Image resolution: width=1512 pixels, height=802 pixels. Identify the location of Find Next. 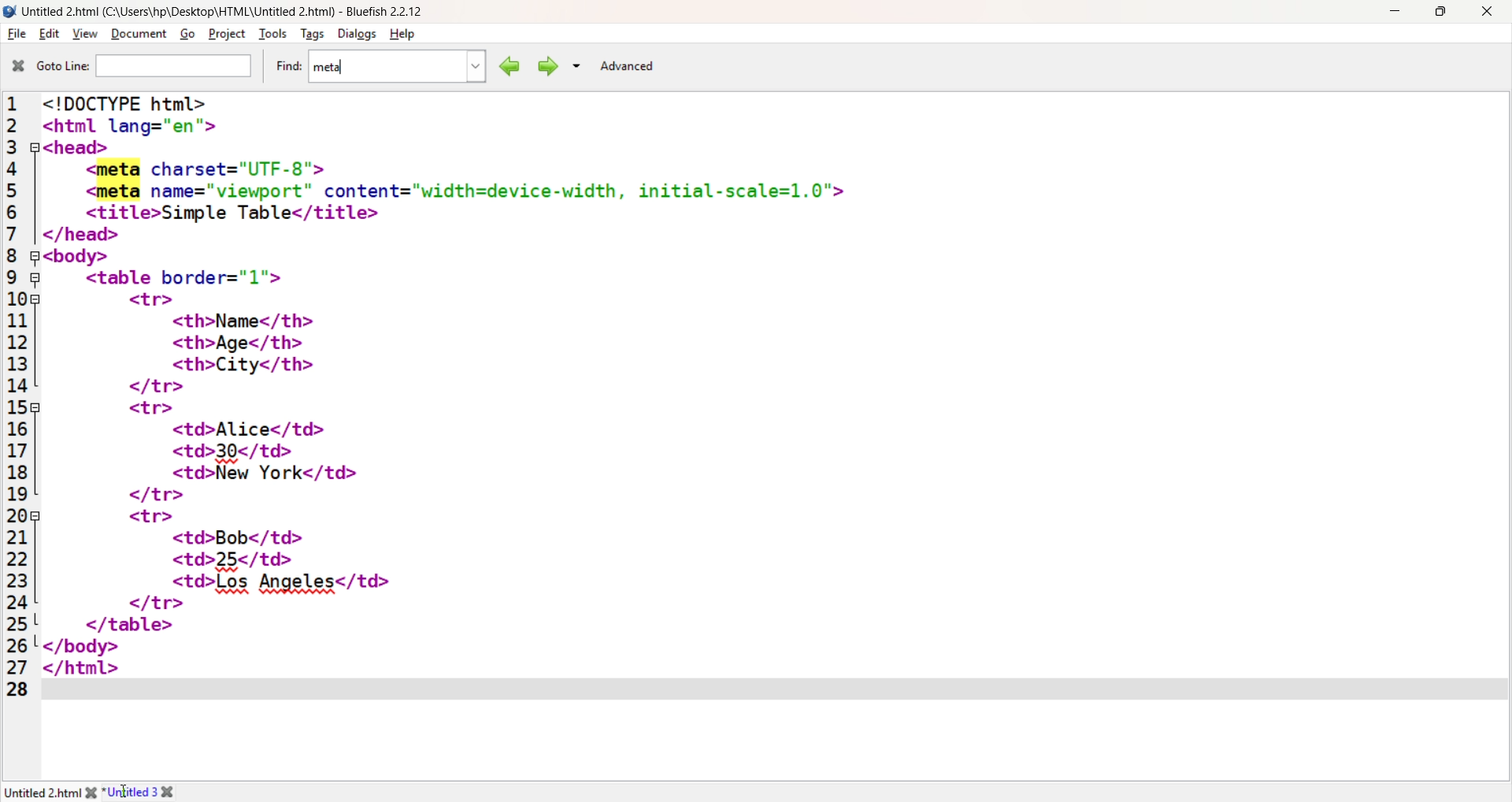
(547, 66).